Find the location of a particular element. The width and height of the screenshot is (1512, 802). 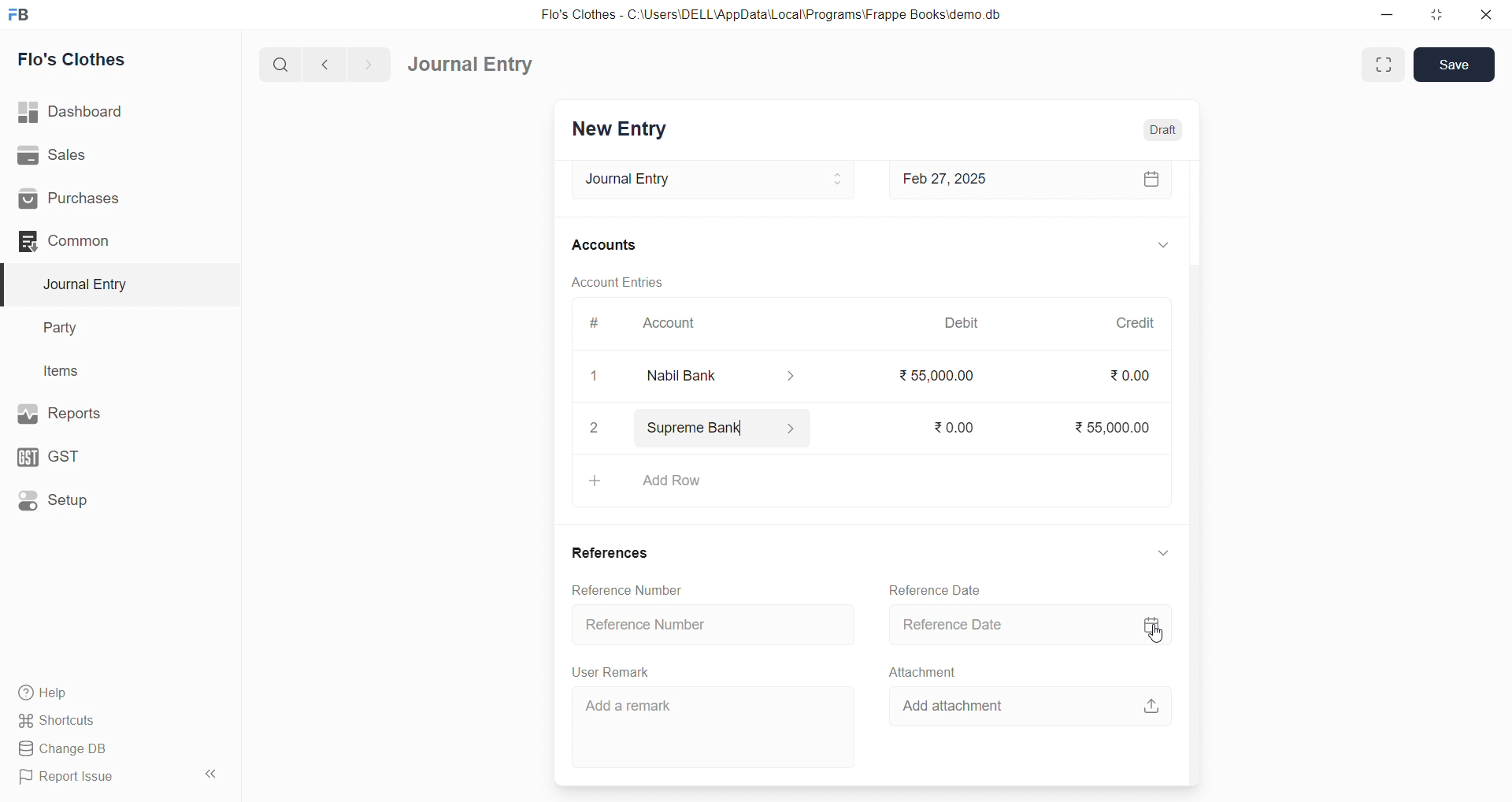

close is located at coordinates (1488, 14).